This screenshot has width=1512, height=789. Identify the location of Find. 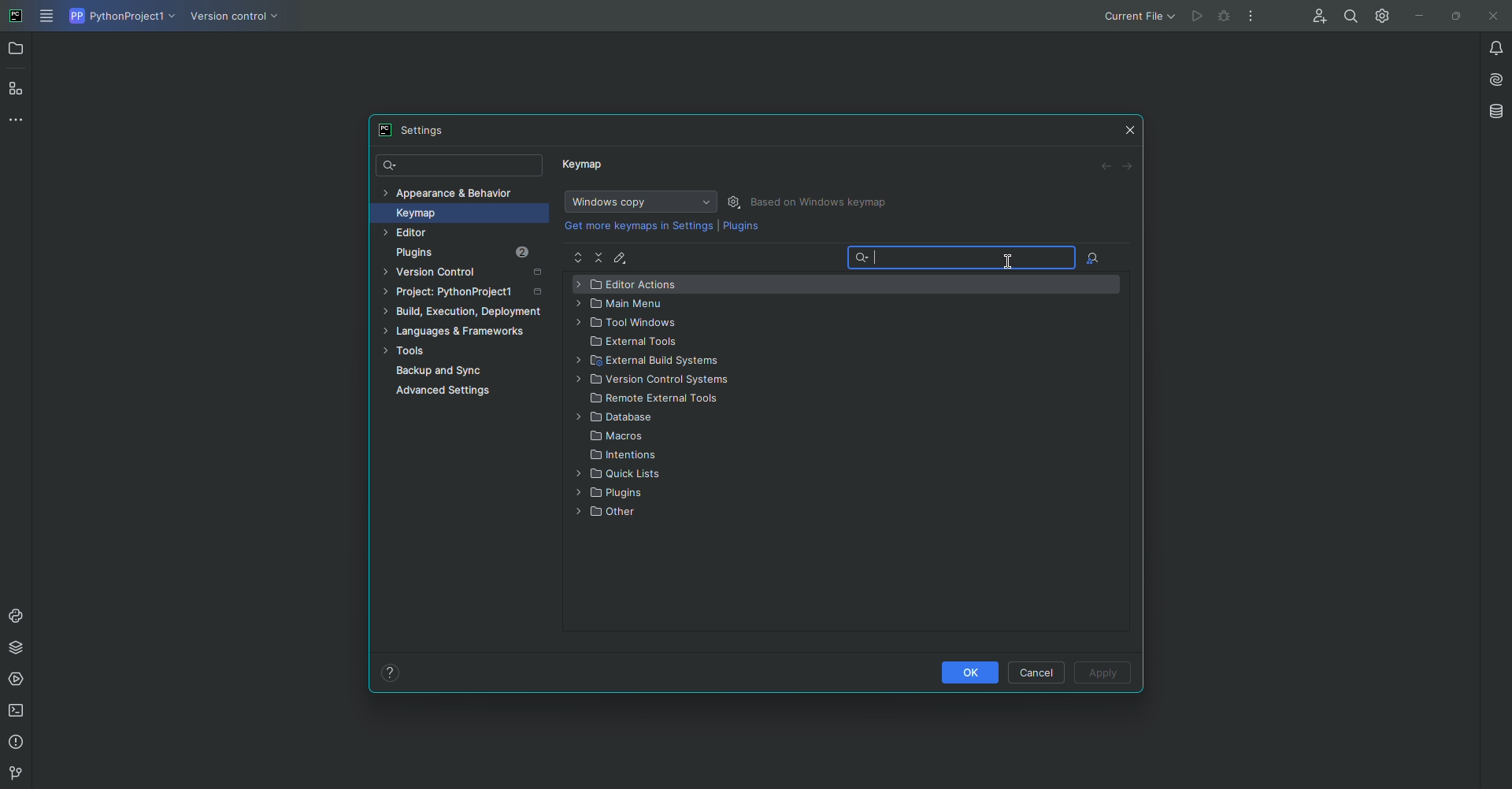
(1351, 16).